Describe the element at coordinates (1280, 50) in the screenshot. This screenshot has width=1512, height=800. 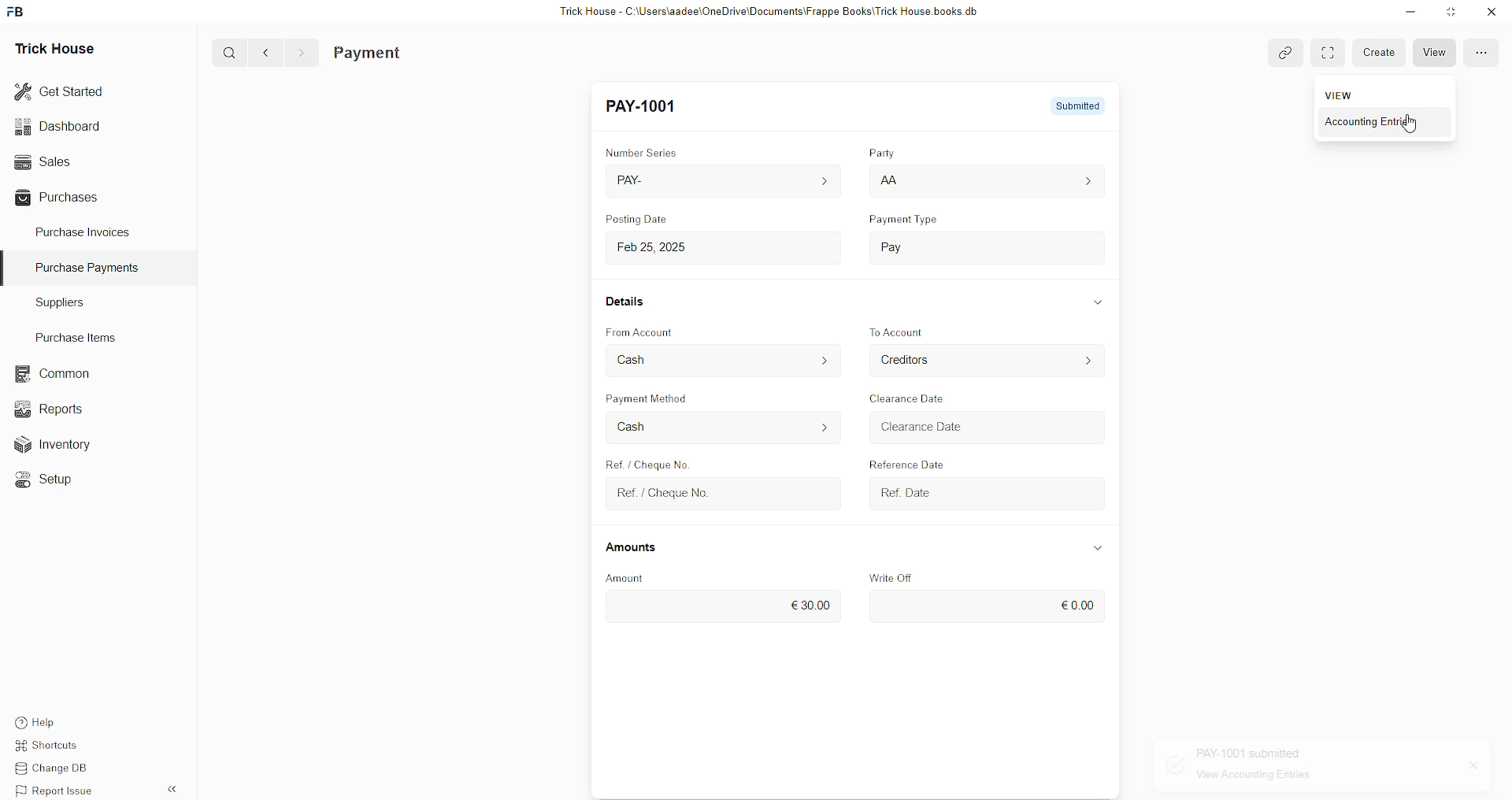
I see `attach` at that location.